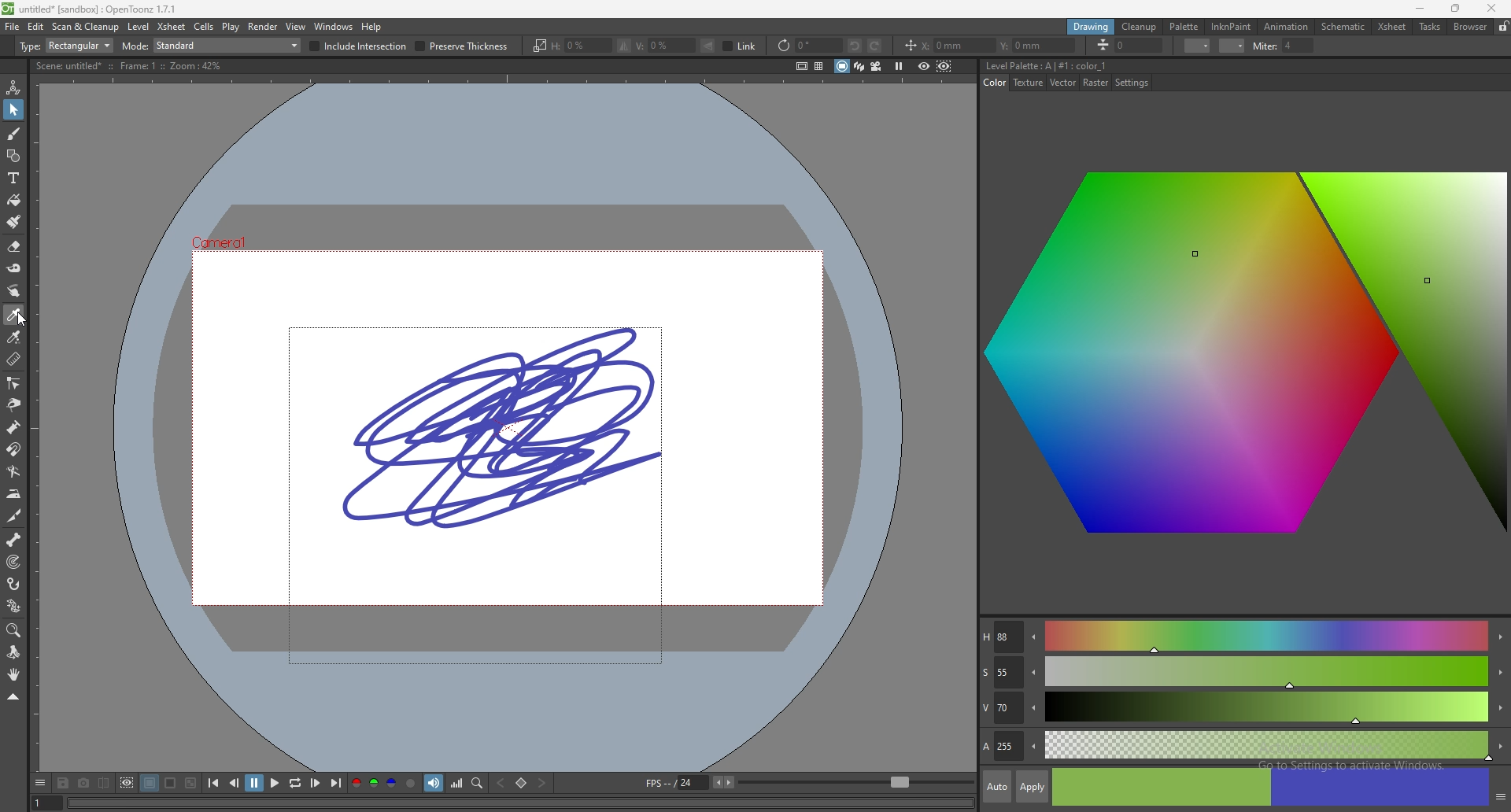  Describe the element at coordinates (13, 27) in the screenshot. I see `file` at that location.